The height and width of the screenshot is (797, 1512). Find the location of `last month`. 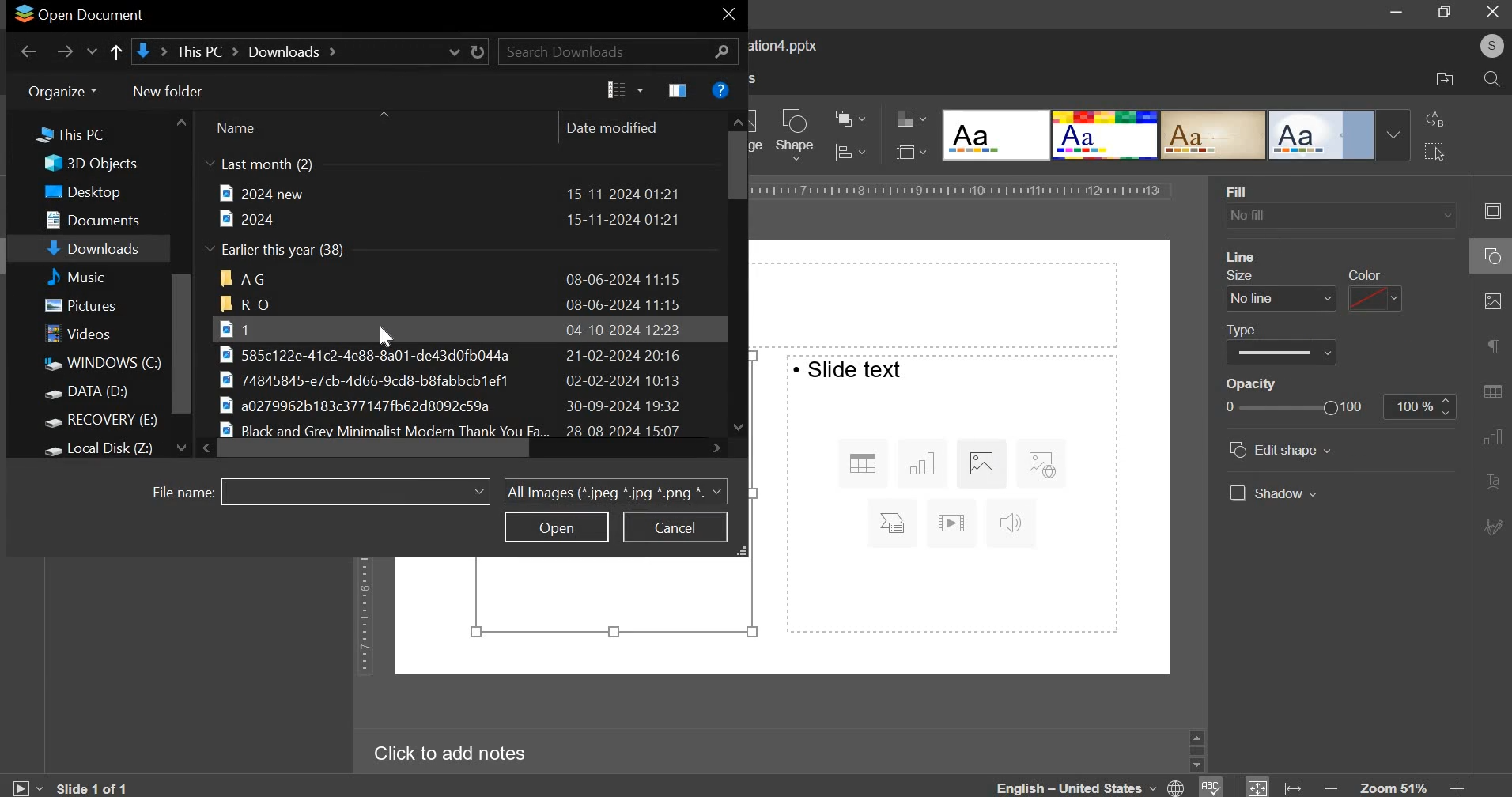

last month is located at coordinates (259, 165).